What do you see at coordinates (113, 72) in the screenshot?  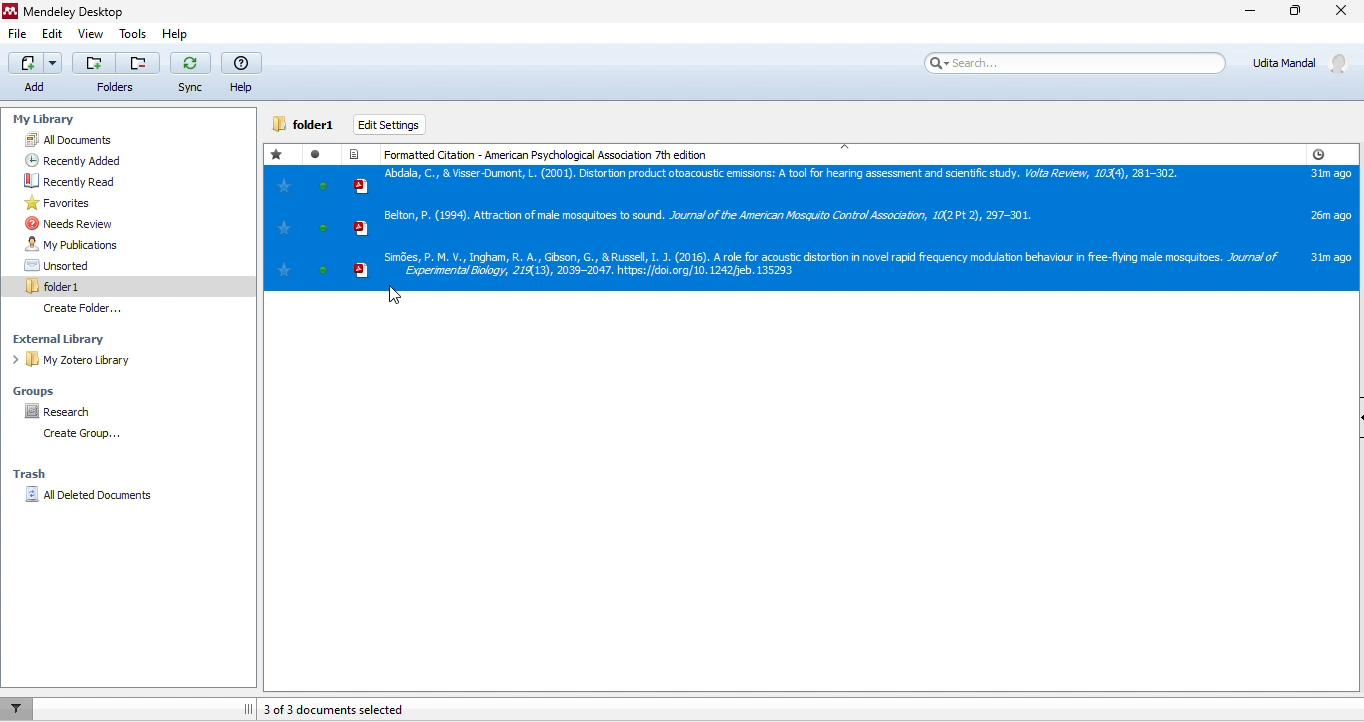 I see `folders` at bounding box center [113, 72].